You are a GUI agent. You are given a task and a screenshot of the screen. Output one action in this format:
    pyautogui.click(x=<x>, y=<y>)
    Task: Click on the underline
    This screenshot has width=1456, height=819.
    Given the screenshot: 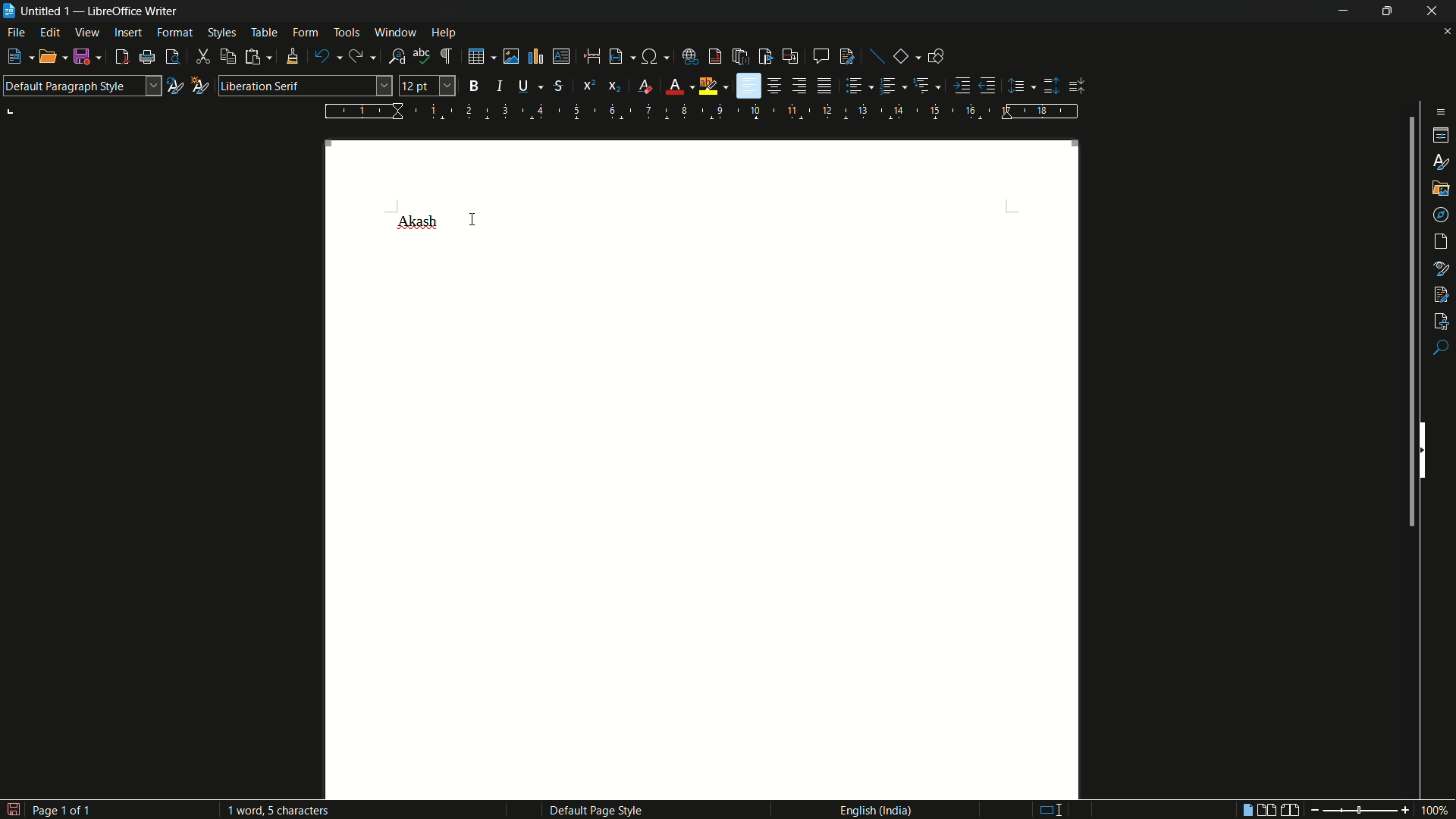 What is the action you would take?
    pyautogui.click(x=523, y=85)
    